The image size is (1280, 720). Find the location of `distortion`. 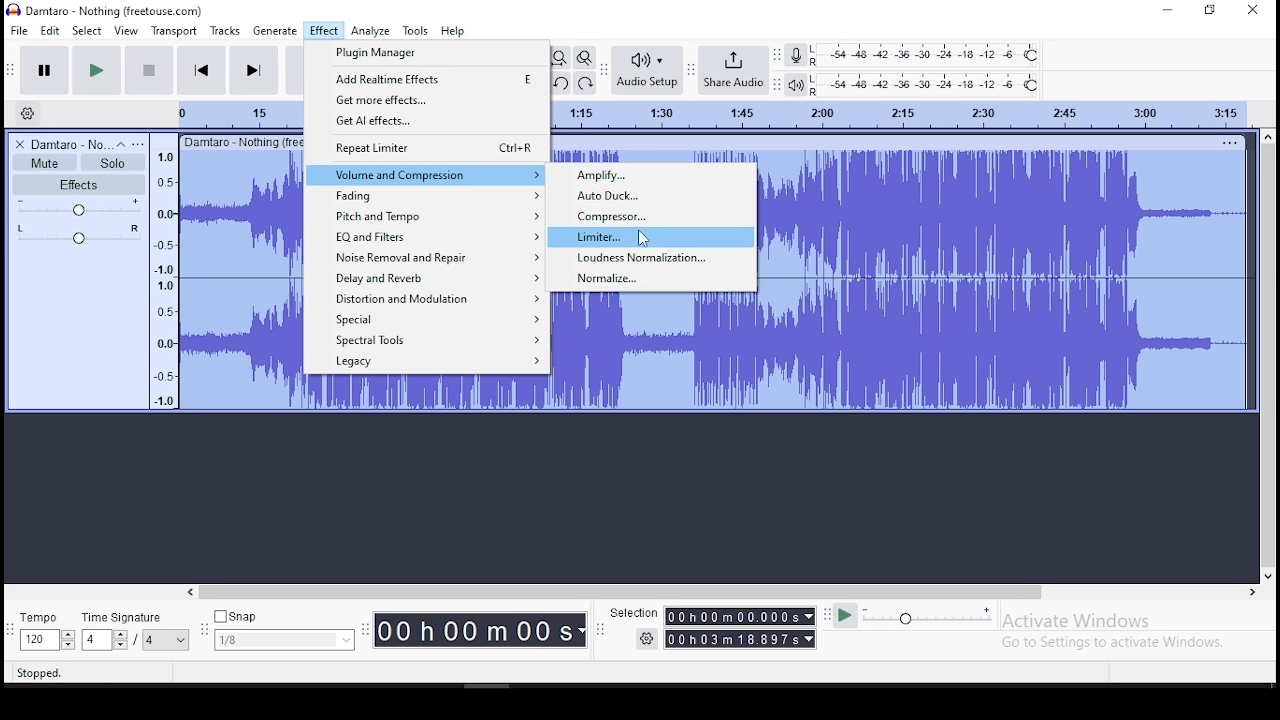

distortion is located at coordinates (428, 298).